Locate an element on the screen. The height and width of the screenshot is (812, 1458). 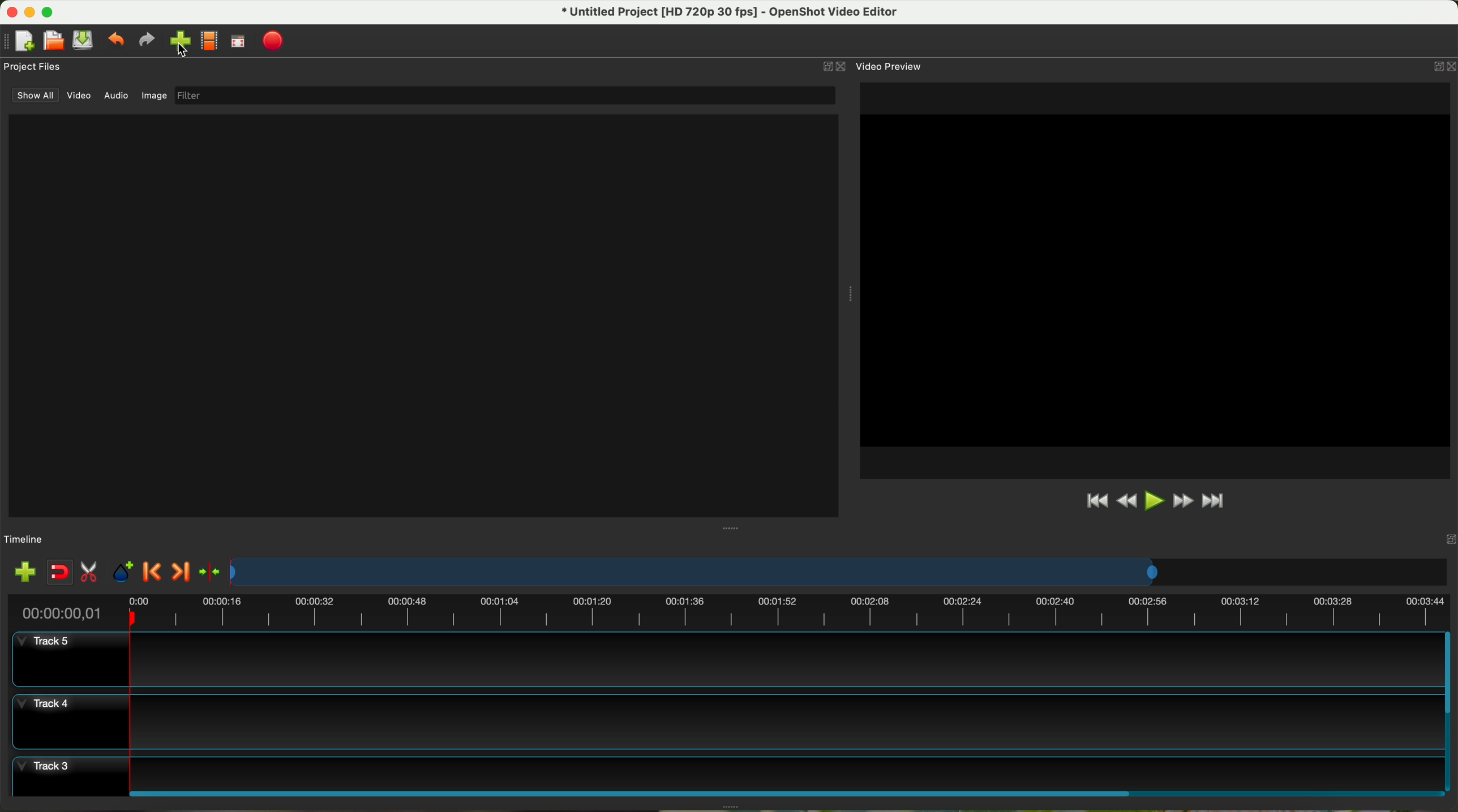
track 4 is located at coordinates (725, 721).